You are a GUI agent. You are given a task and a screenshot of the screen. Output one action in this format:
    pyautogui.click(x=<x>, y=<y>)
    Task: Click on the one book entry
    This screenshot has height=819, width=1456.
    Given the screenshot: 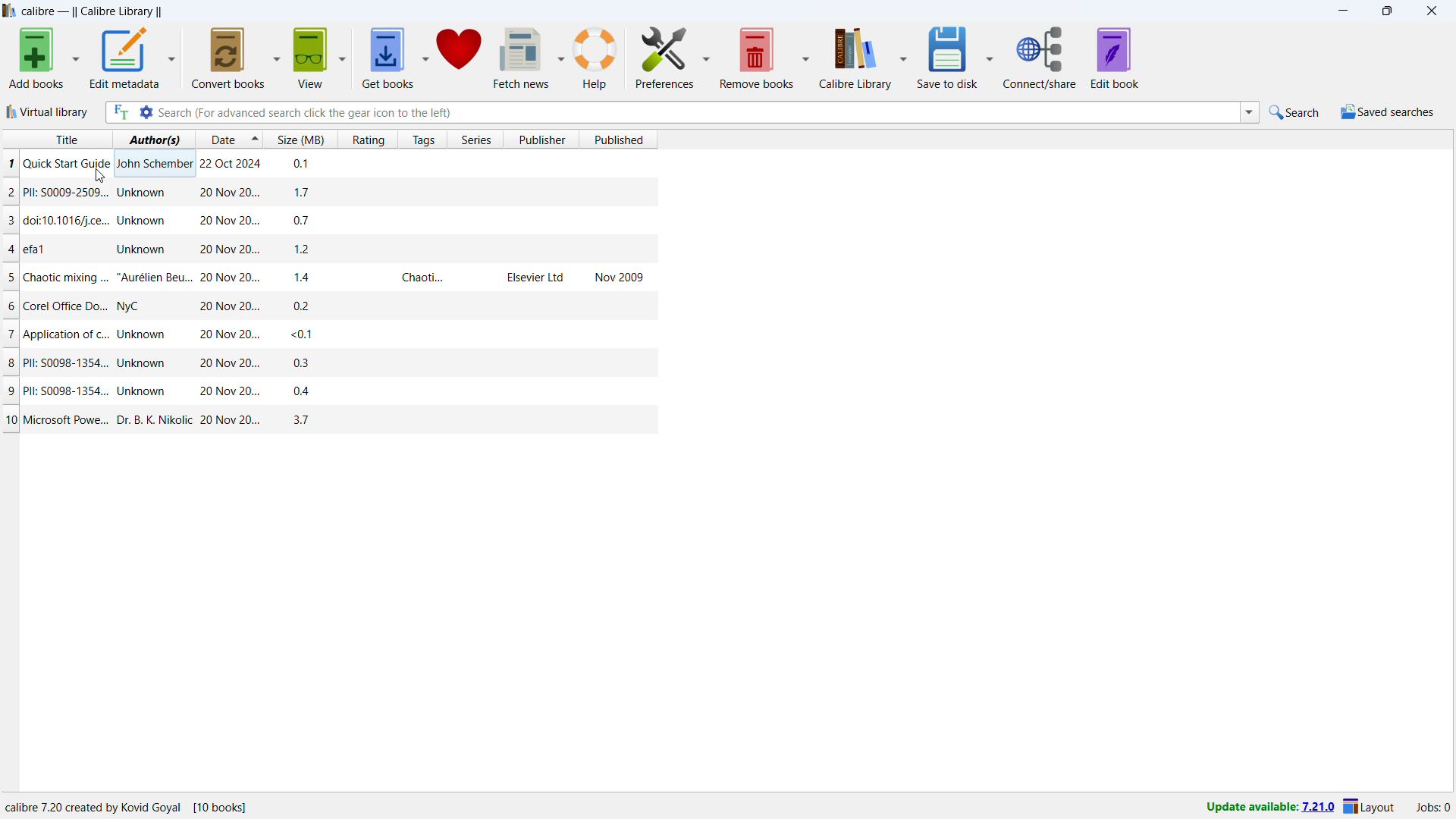 What is the action you would take?
    pyautogui.click(x=330, y=249)
    